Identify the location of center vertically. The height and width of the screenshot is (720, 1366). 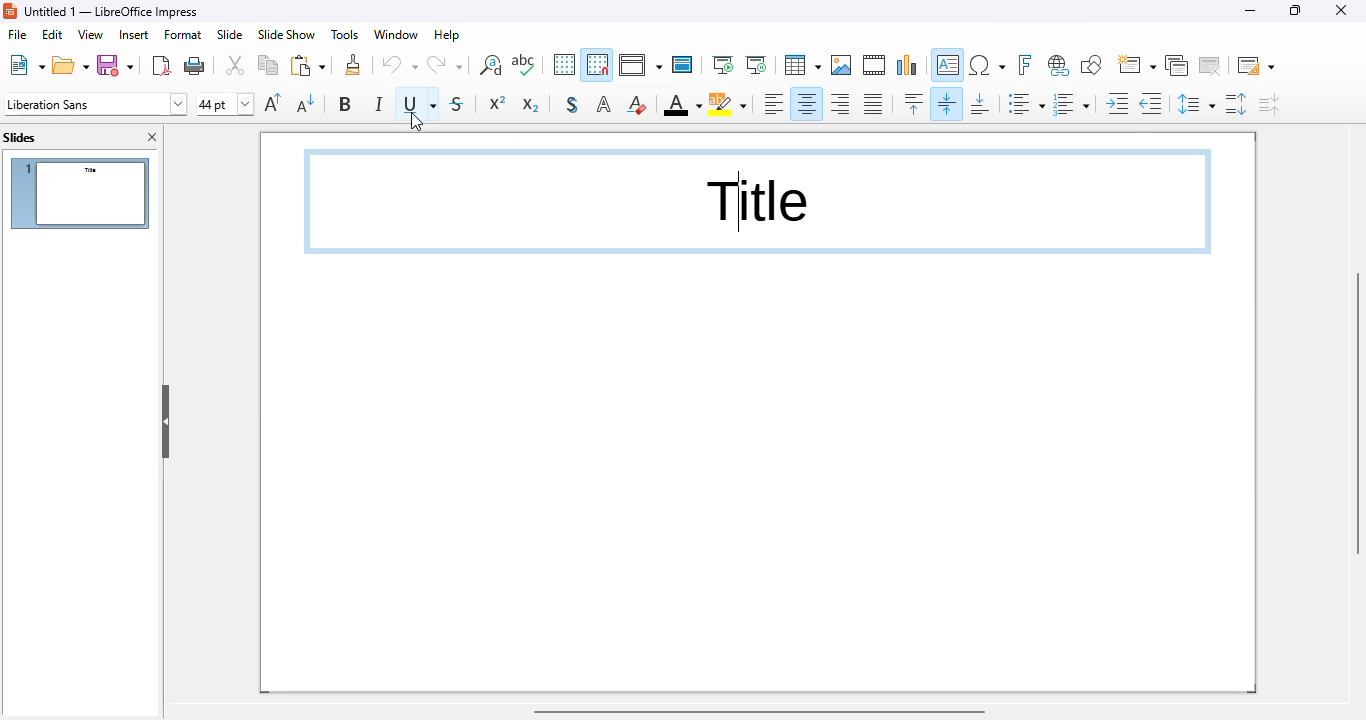
(946, 103).